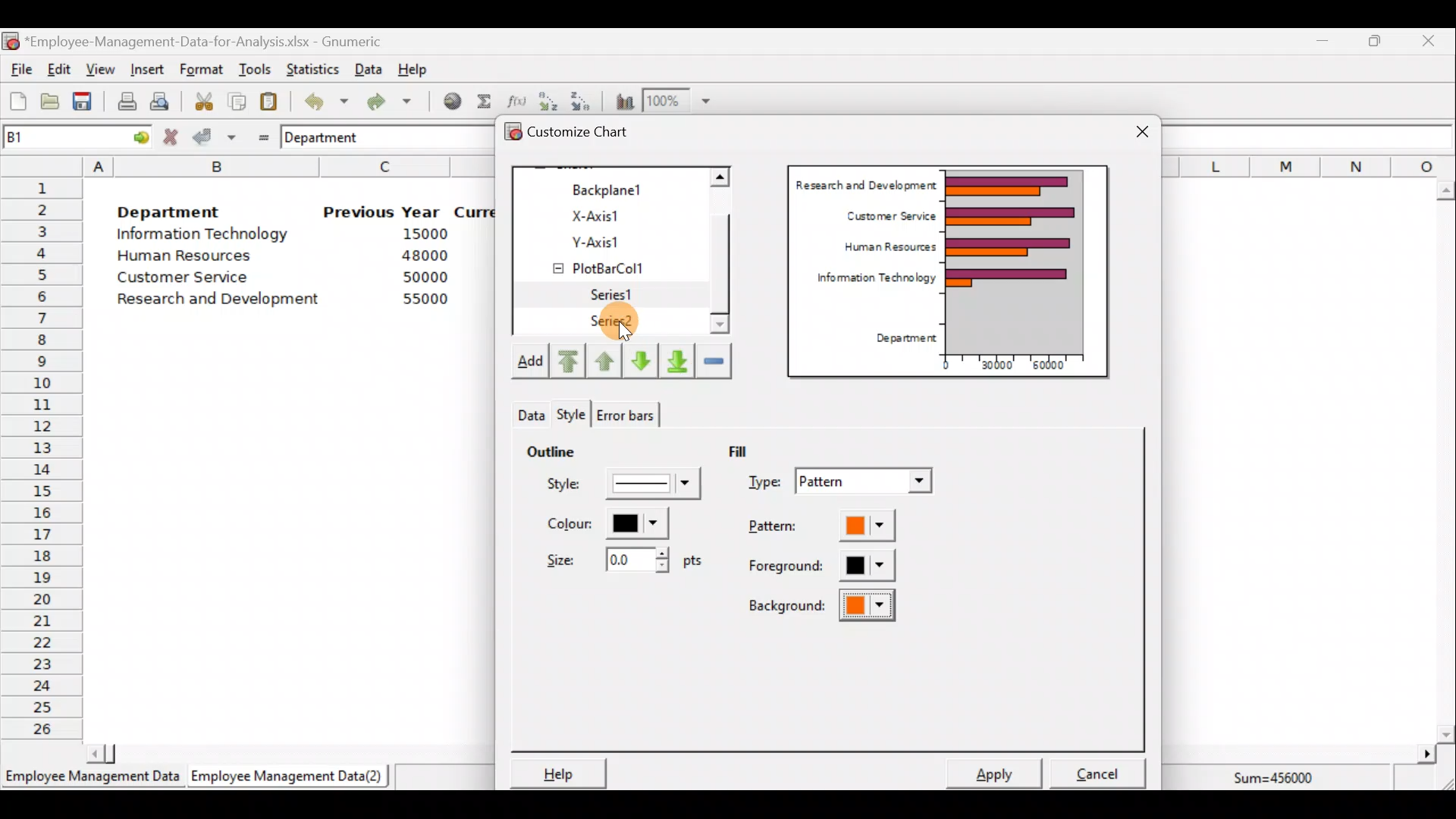  Describe the element at coordinates (187, 281) in the screenshot. I see `Customer Service` at that location.